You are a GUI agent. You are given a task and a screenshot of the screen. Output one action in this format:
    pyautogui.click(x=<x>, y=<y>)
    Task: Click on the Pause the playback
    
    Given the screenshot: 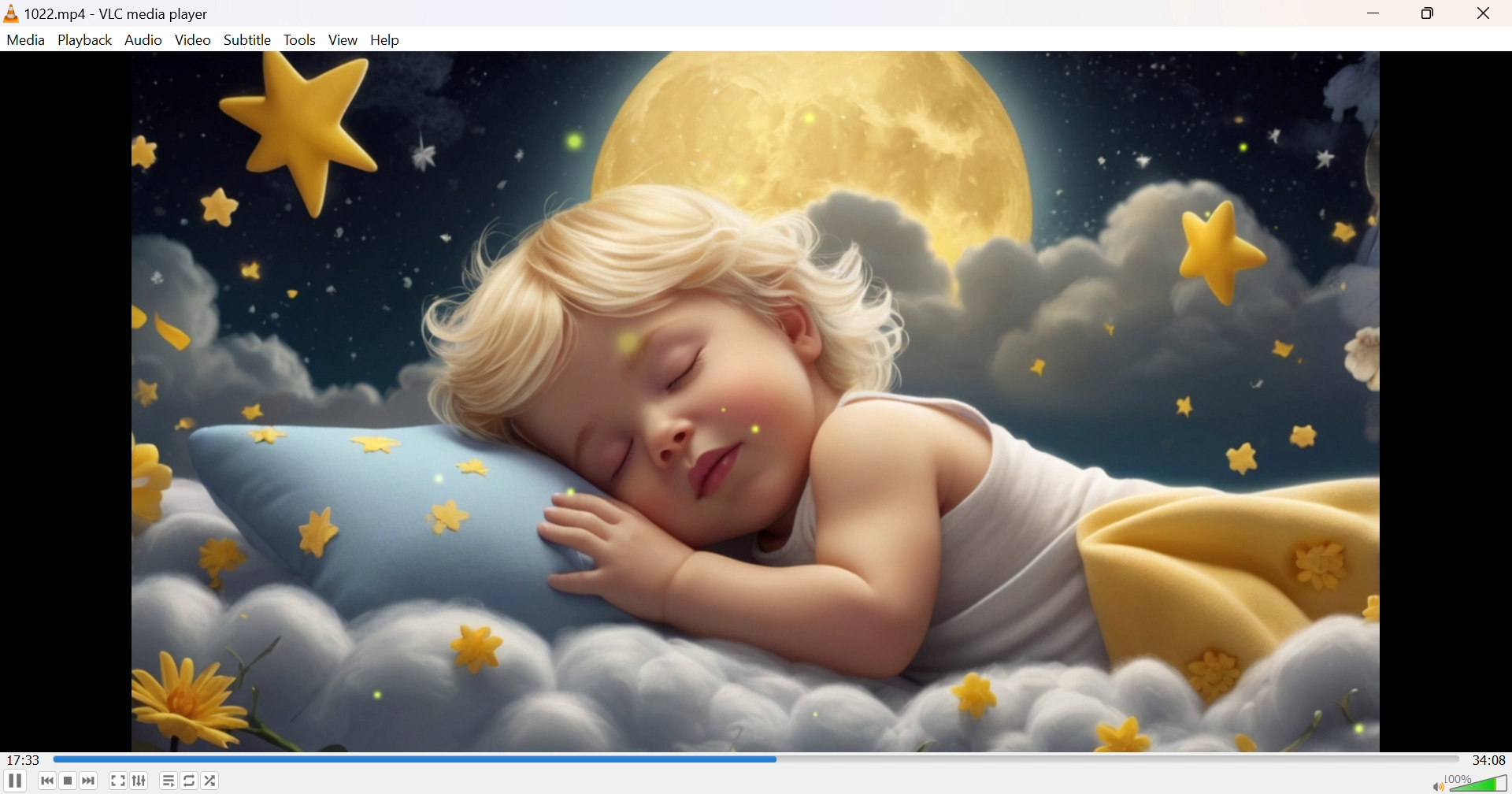 What is the action you would take?
    pyautogui.click(x=14, y=783)
    